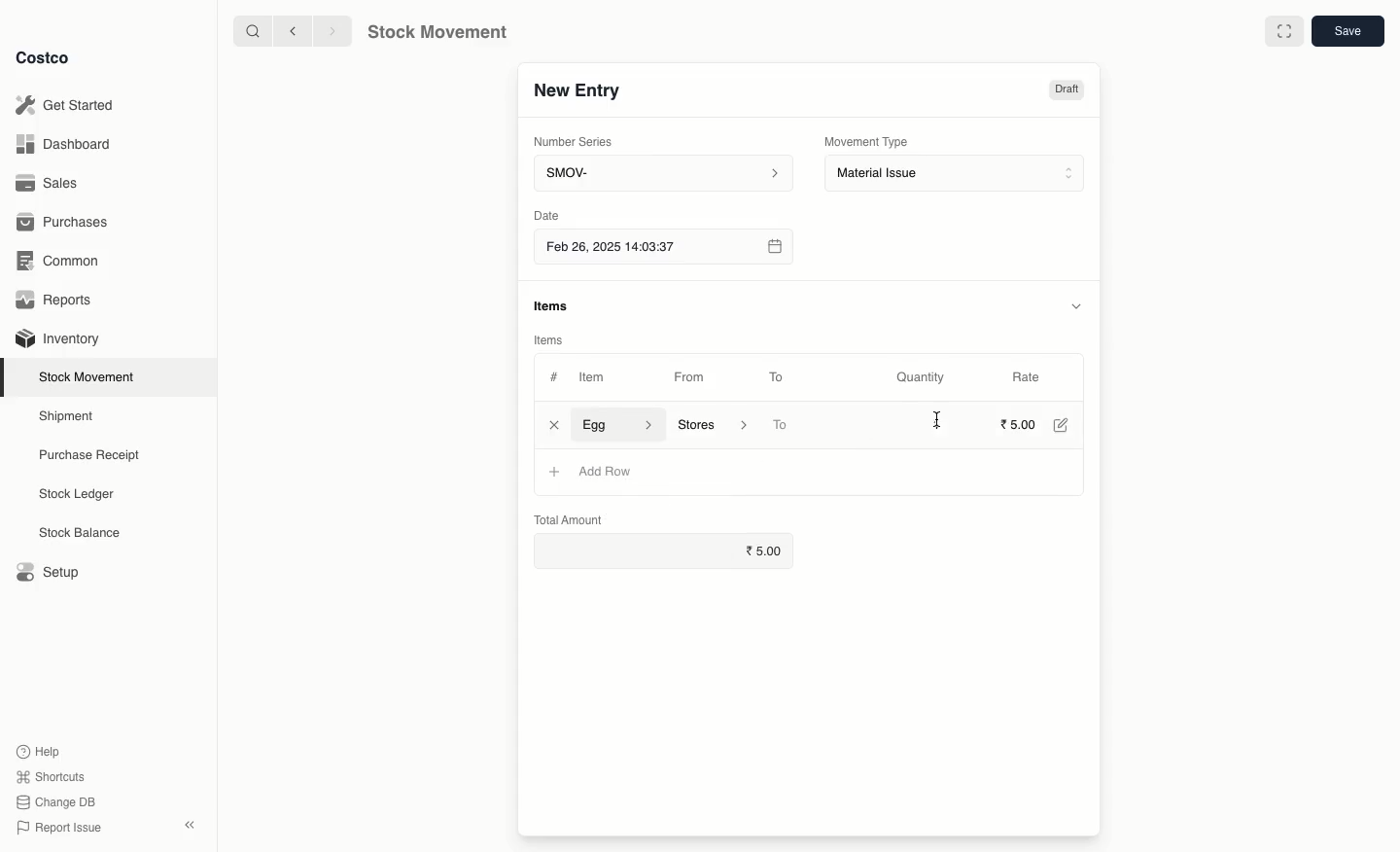 The width and height of the screenshot is (1400, 852). Describe the element at coordinates (867, 141) in the screenshot. I see `Movement Type` at that location.